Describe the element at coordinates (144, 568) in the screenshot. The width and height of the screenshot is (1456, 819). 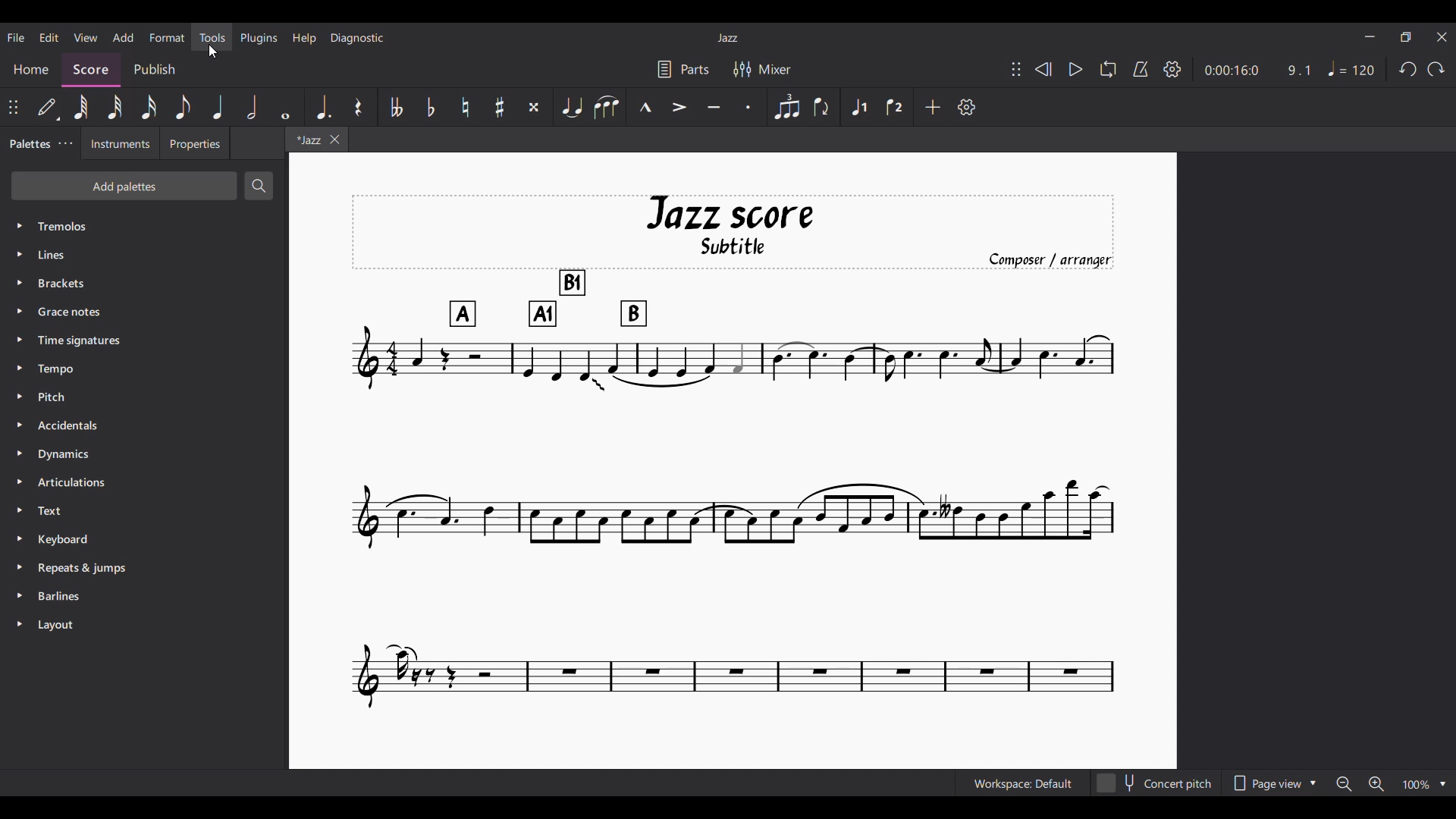
I see `Repeats and jumps` at that location.